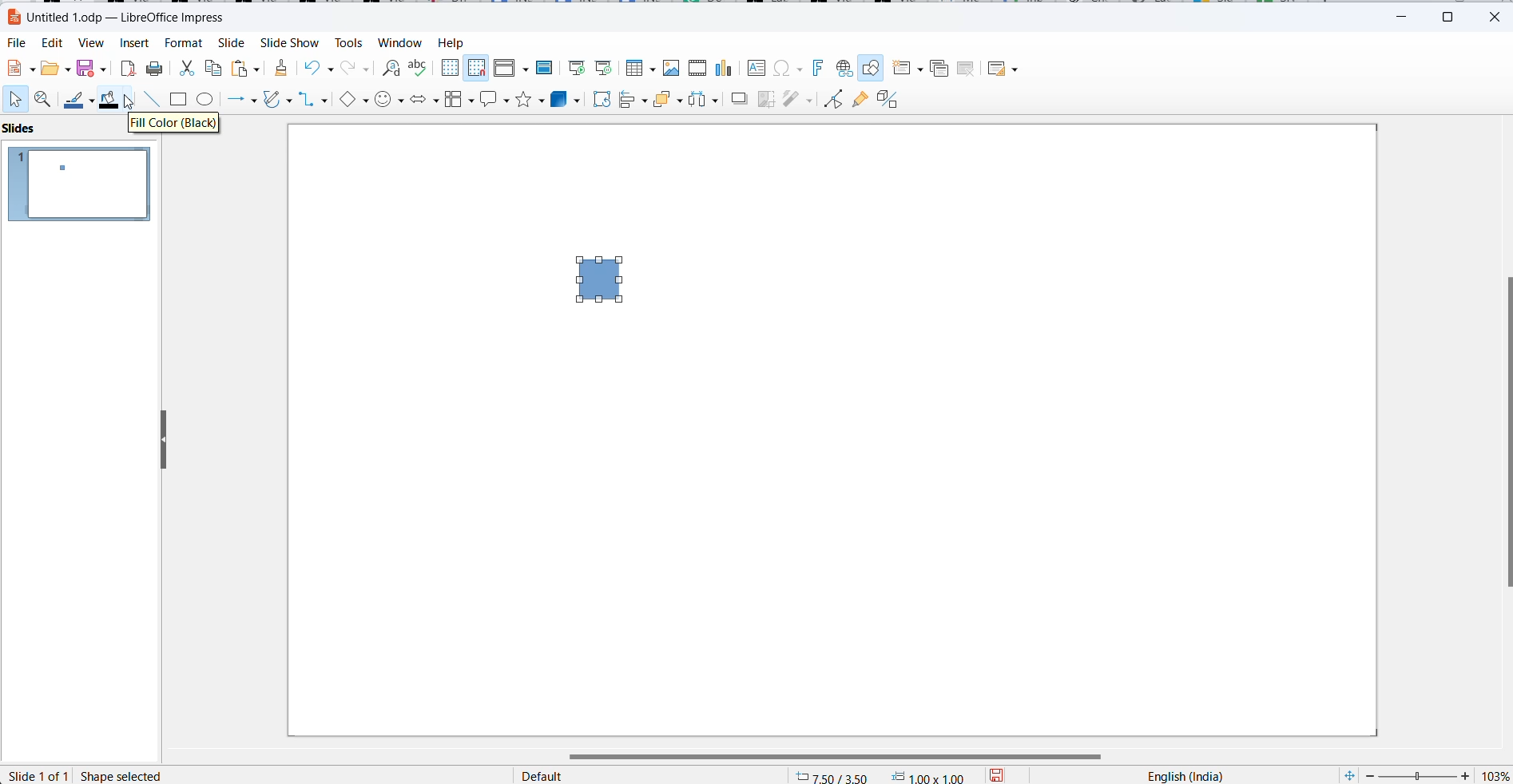 The image size is (1513, 784). Describe the element at coordinates (939, 69) in the screenshot. I see `Duplicate slide` at that location.